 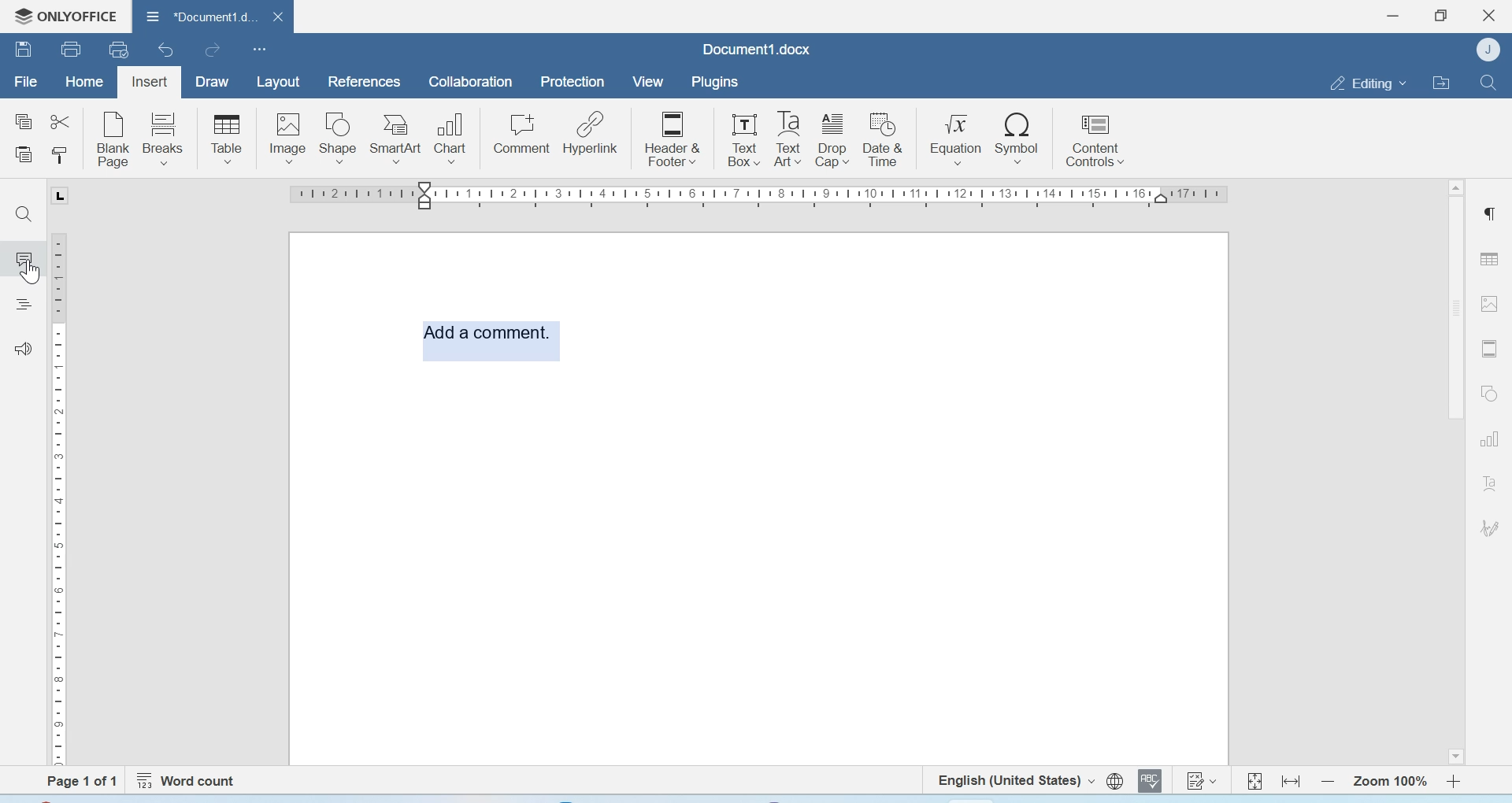 What do you see at coordinates (24, 122) in the screenshot?
I see `Copy` at bounding box center [24, 122].